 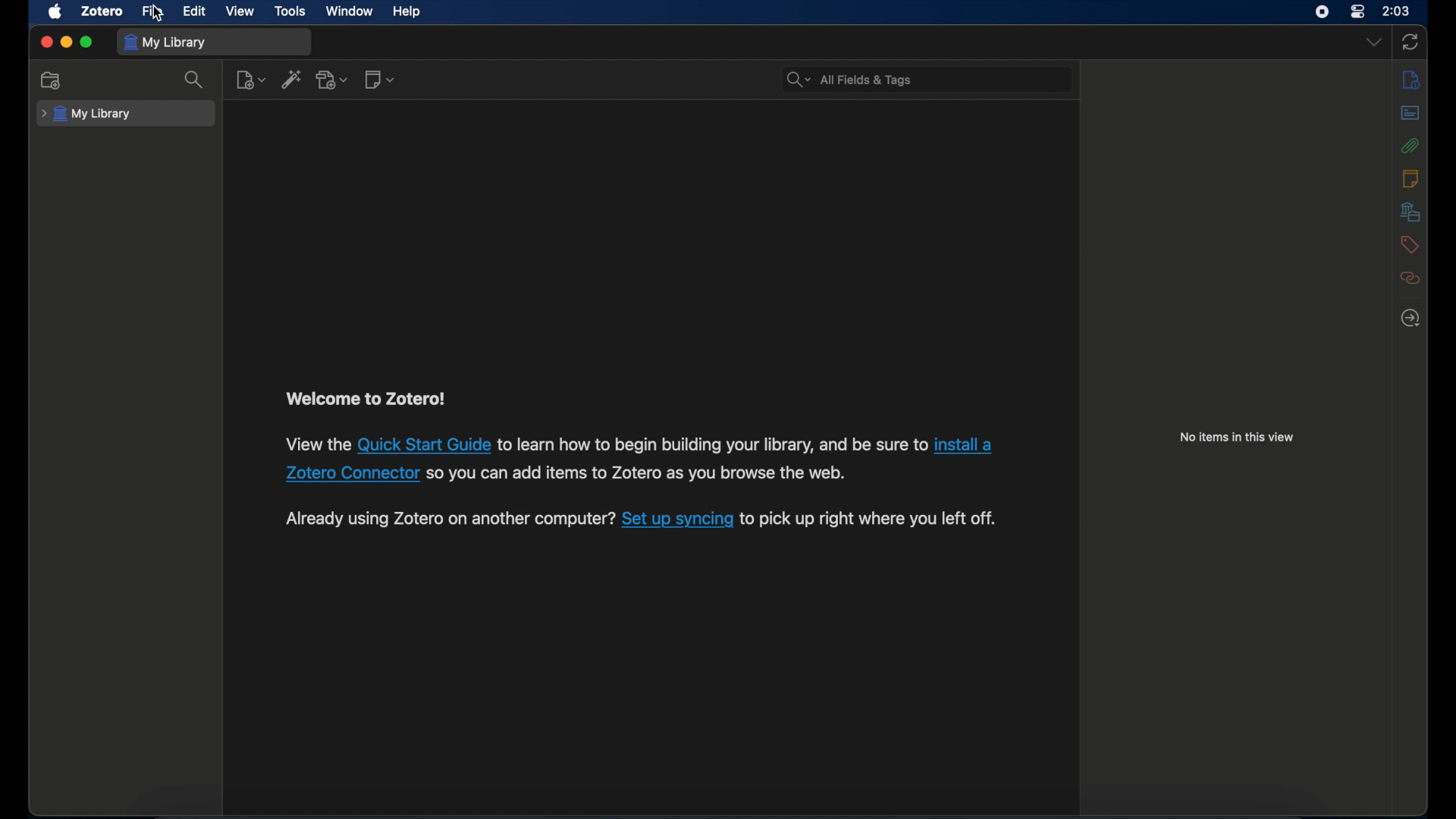 What do you see at coordinates (449, 520) in the screenshot?
I see `text` at bounding box center [449, 520].